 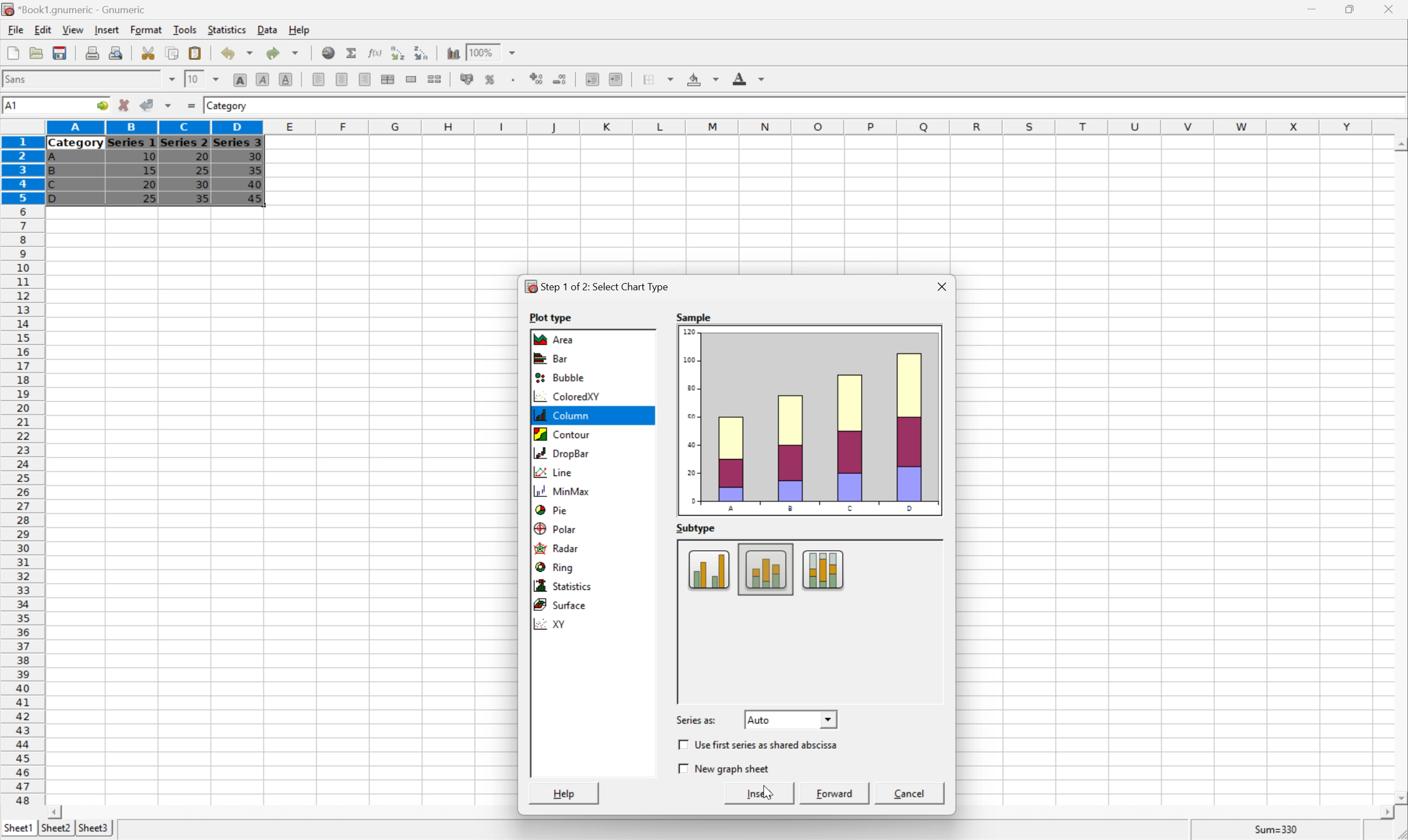 What do you see at coordinates (238, 51) in the screenshot?
I see `Undo` at bounding box center [238, 51].